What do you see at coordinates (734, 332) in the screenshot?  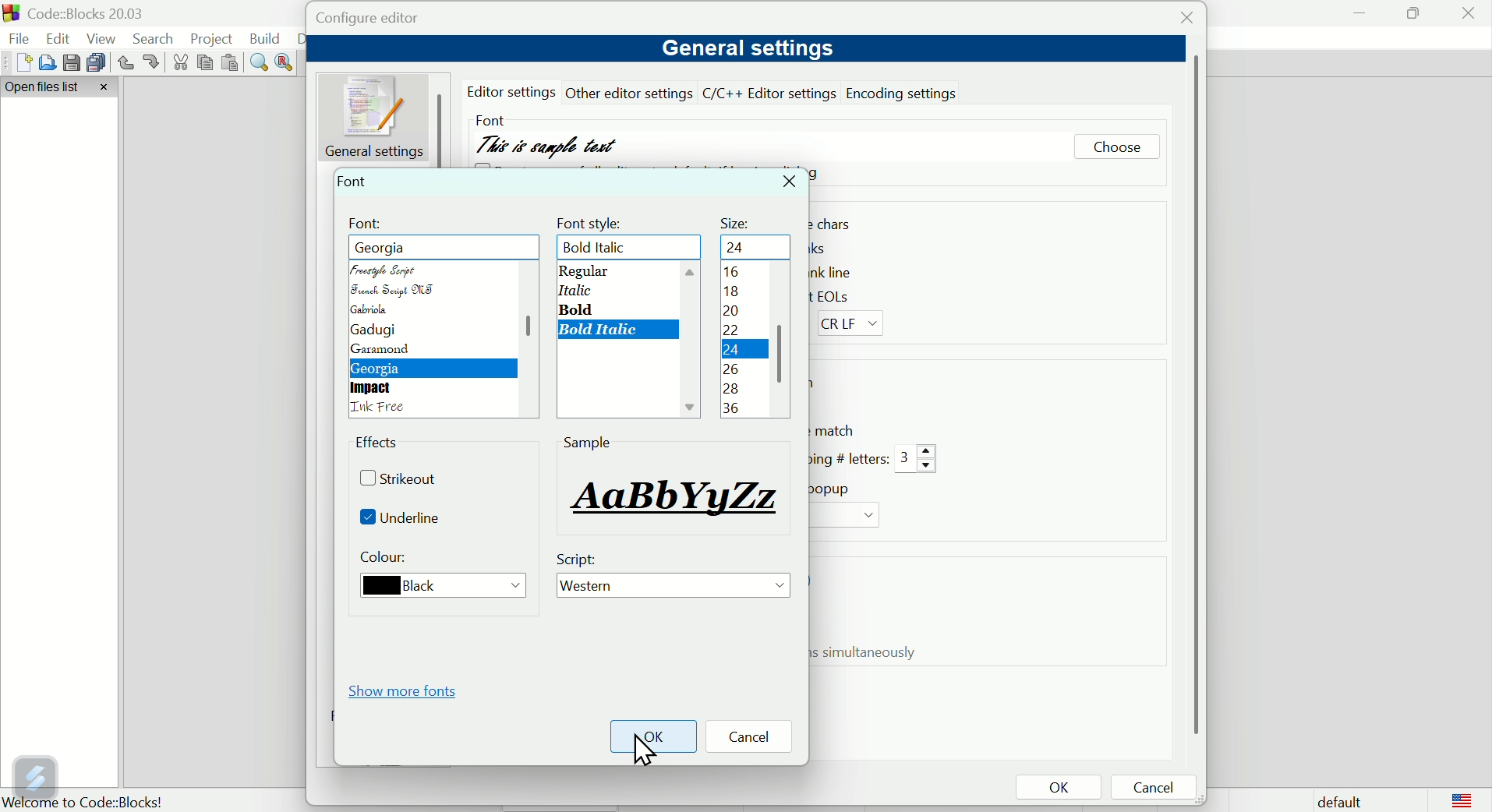 I see `22` at bounding box center [734, 332].